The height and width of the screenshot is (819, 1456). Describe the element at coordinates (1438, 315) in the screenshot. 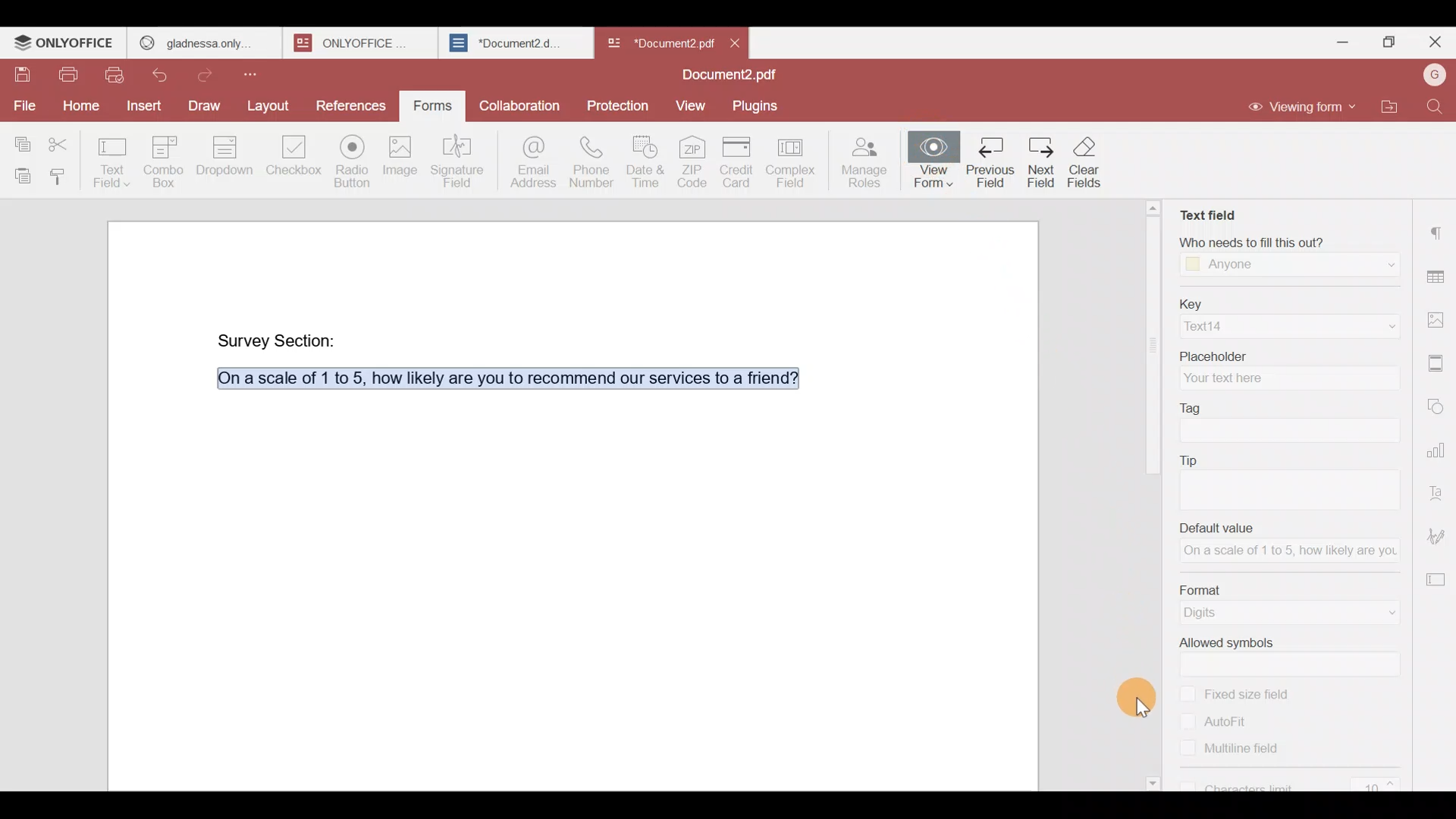

I see `Image settings` at that location.